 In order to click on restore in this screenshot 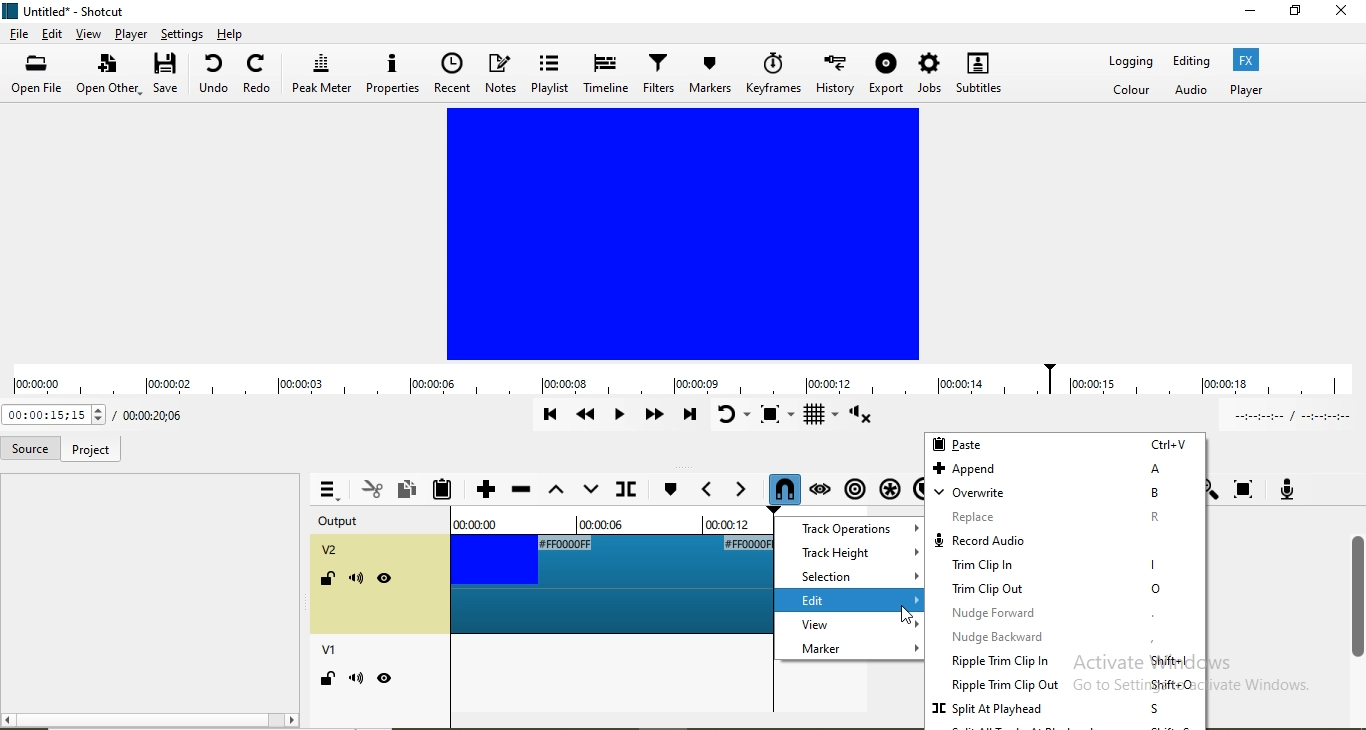, I will do `click(1297, 13)`.